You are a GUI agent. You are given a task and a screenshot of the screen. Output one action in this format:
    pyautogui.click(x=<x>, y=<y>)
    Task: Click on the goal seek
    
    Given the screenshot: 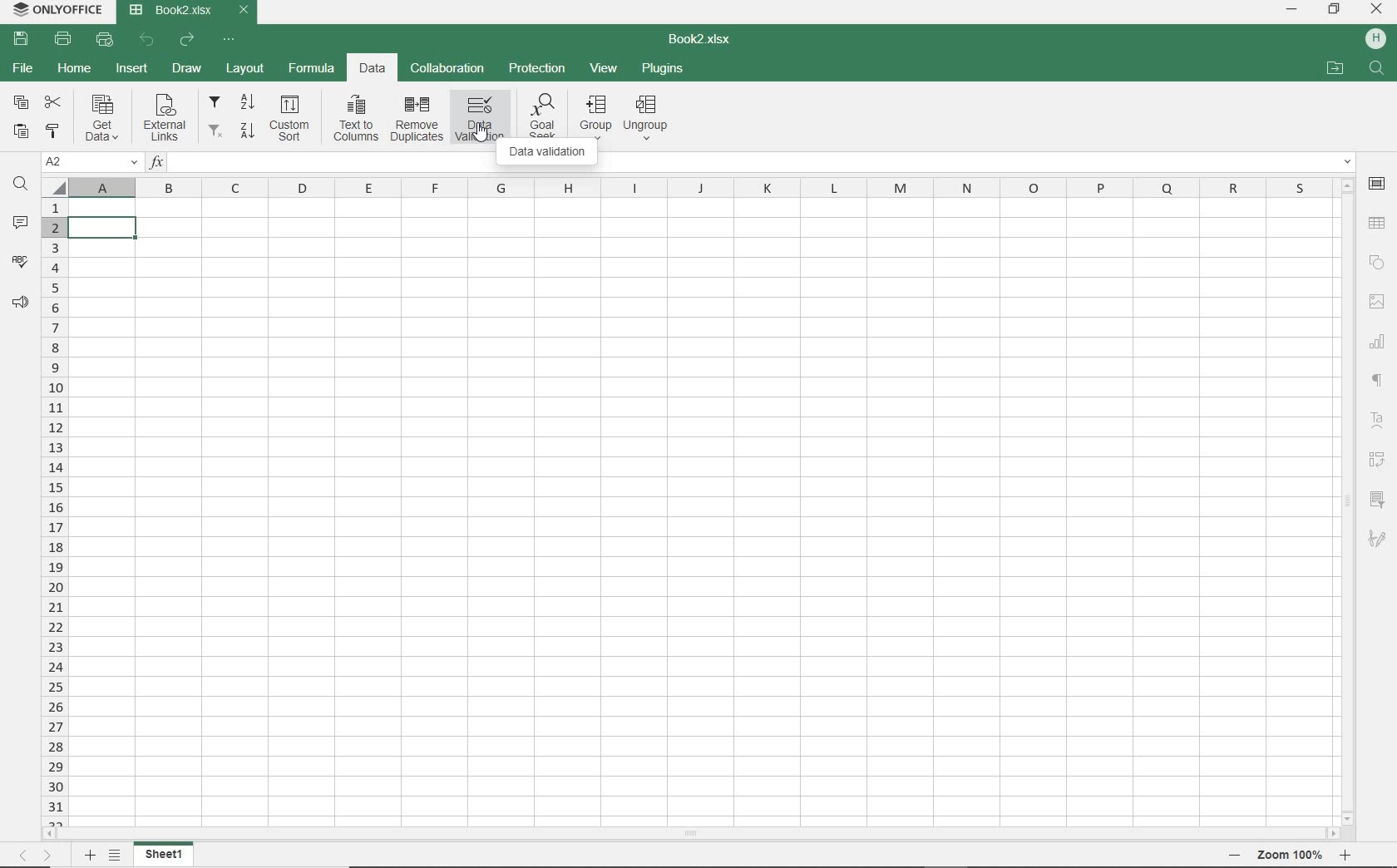 What is the action you would take?
    pyautogui.click(x=544, y=116)
    